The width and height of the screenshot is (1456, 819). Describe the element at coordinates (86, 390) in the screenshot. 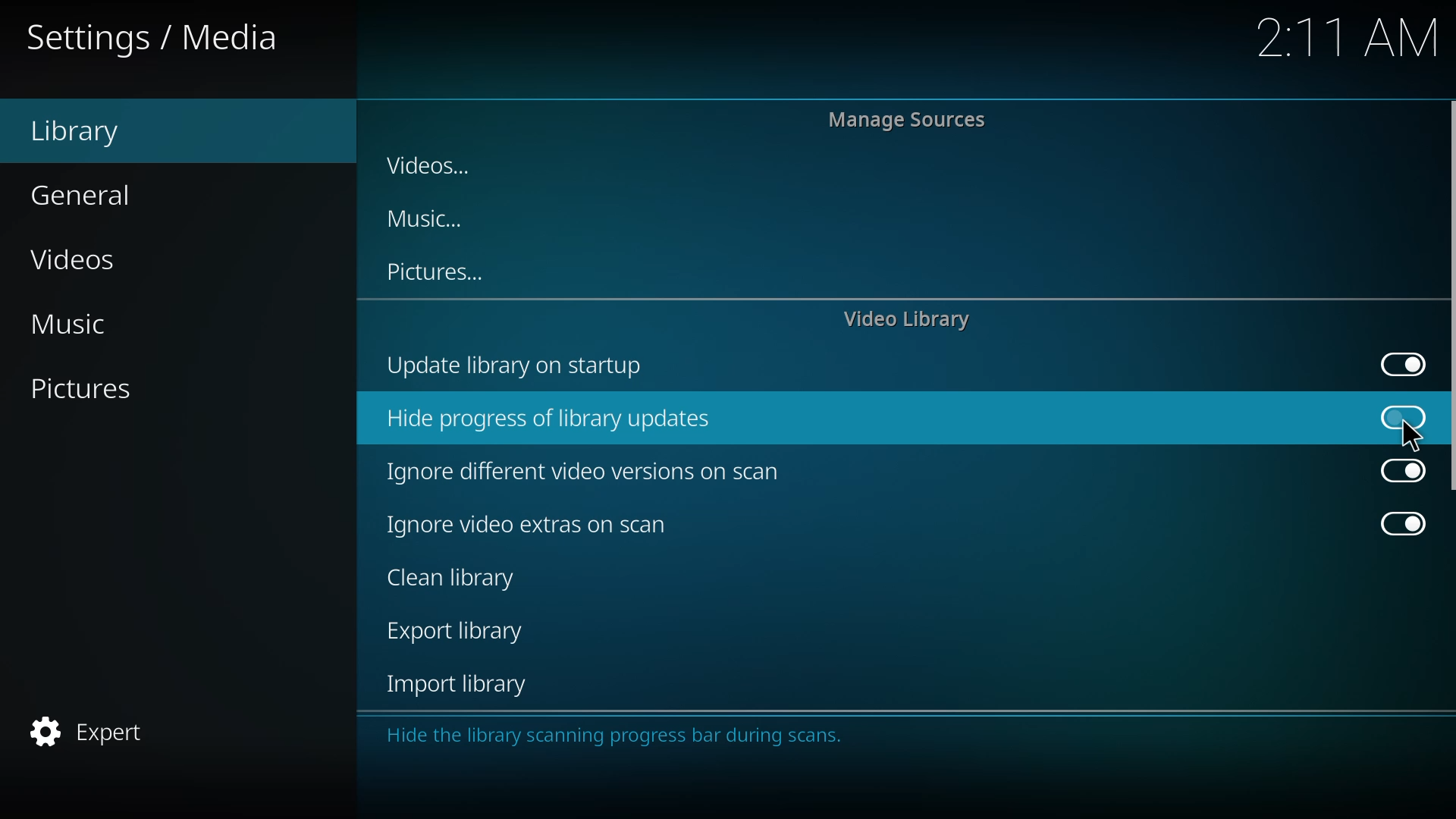

I see `pictures` at that location.